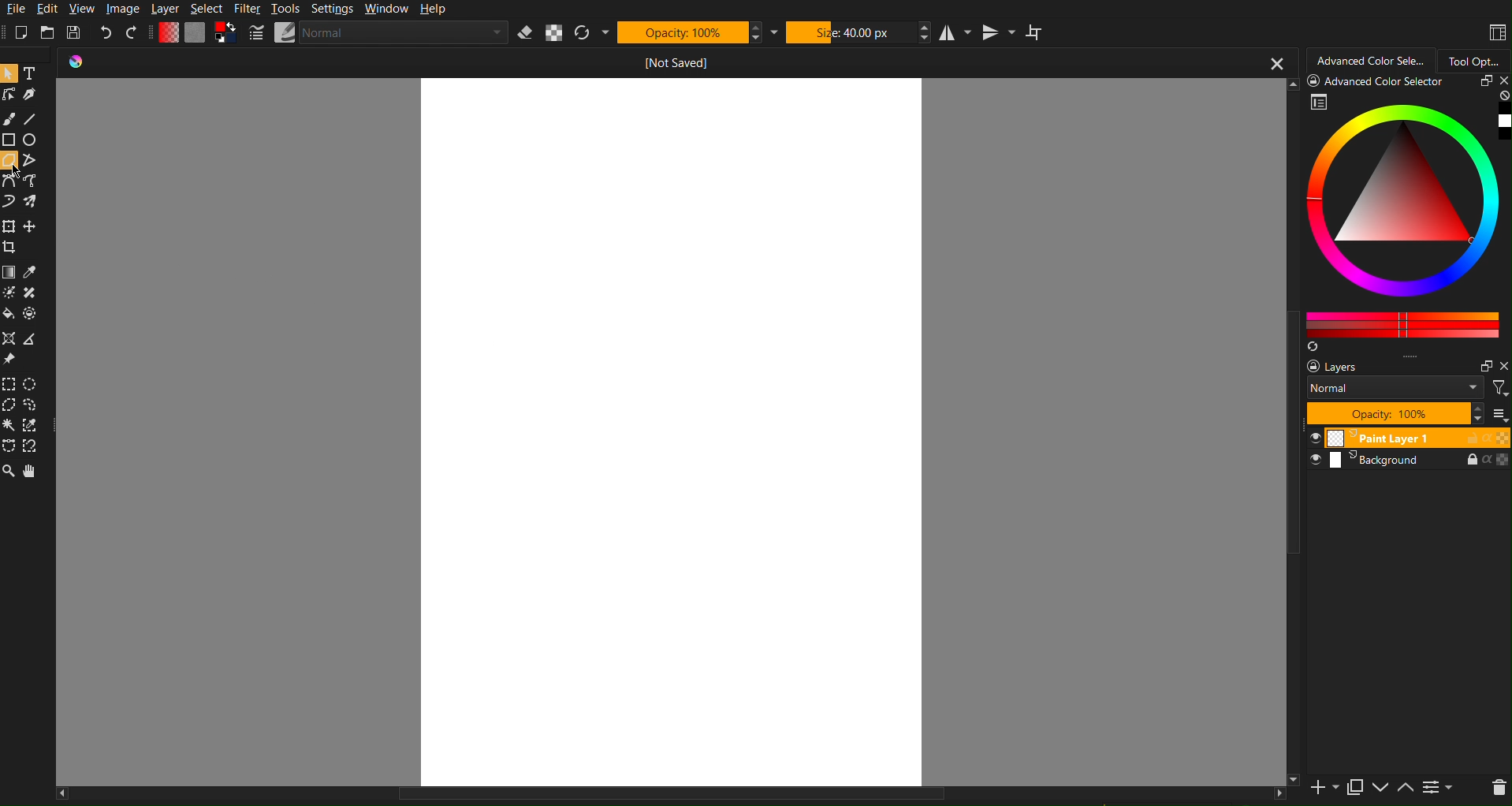 The image size is (1512, 806). What do you see at coordinates (1502, 83) in the screenshot?
I see `close panel` at bounding box center [1502, 83].